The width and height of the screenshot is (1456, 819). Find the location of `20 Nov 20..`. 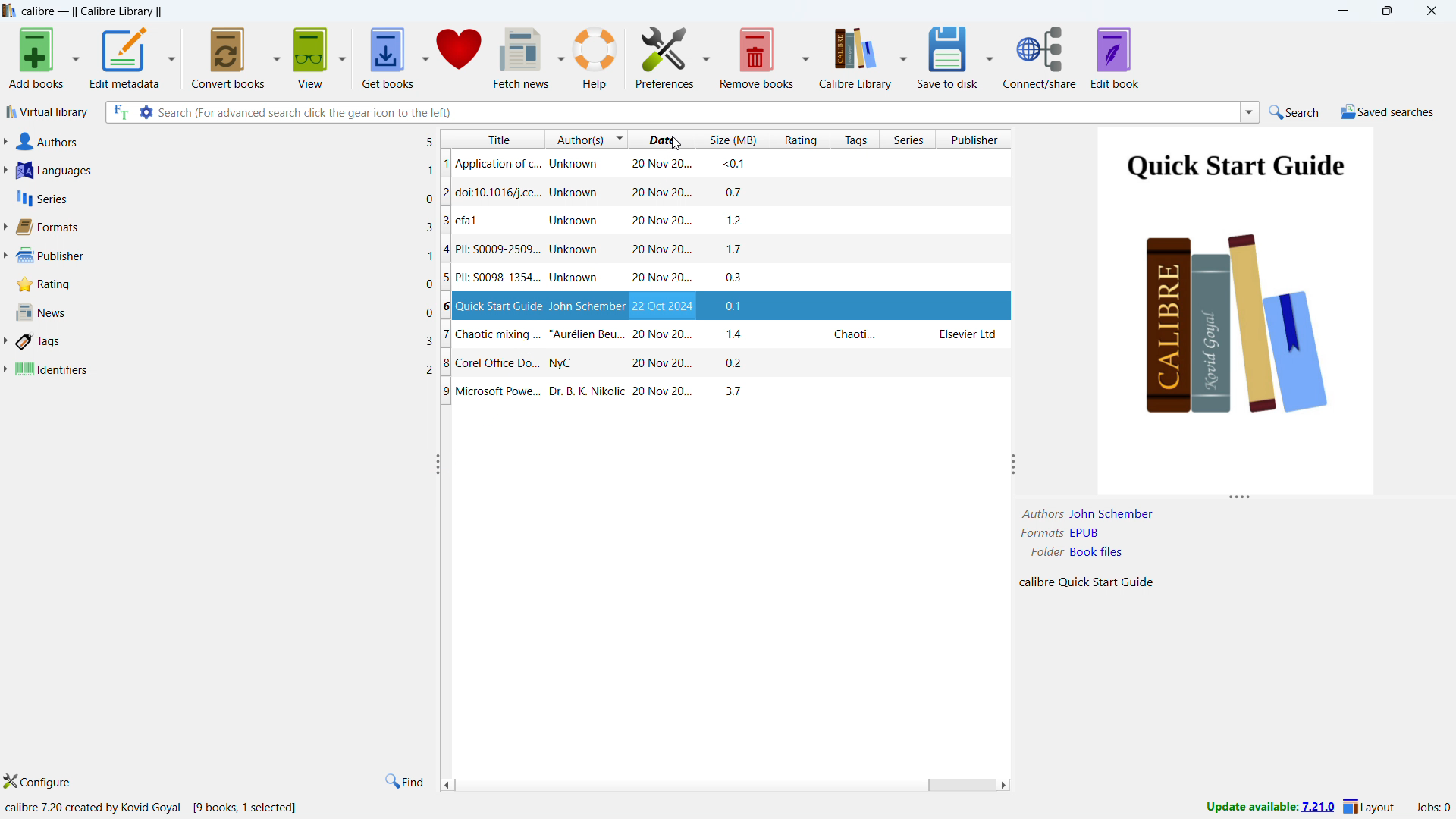

20 Nov 20.. is located at coordinates (664, 306).